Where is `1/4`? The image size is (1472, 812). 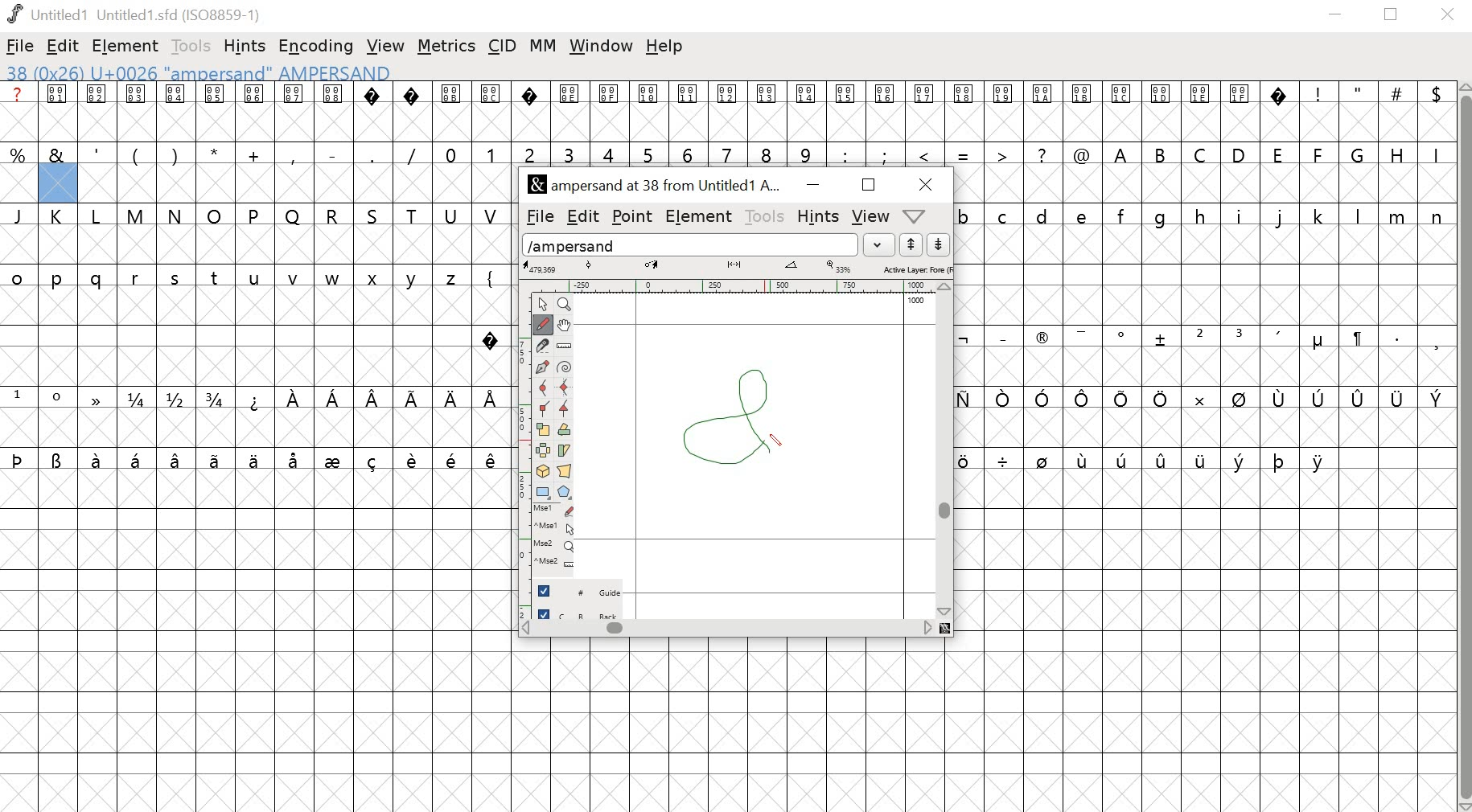 1/4 is located at coordinates (139, 400).